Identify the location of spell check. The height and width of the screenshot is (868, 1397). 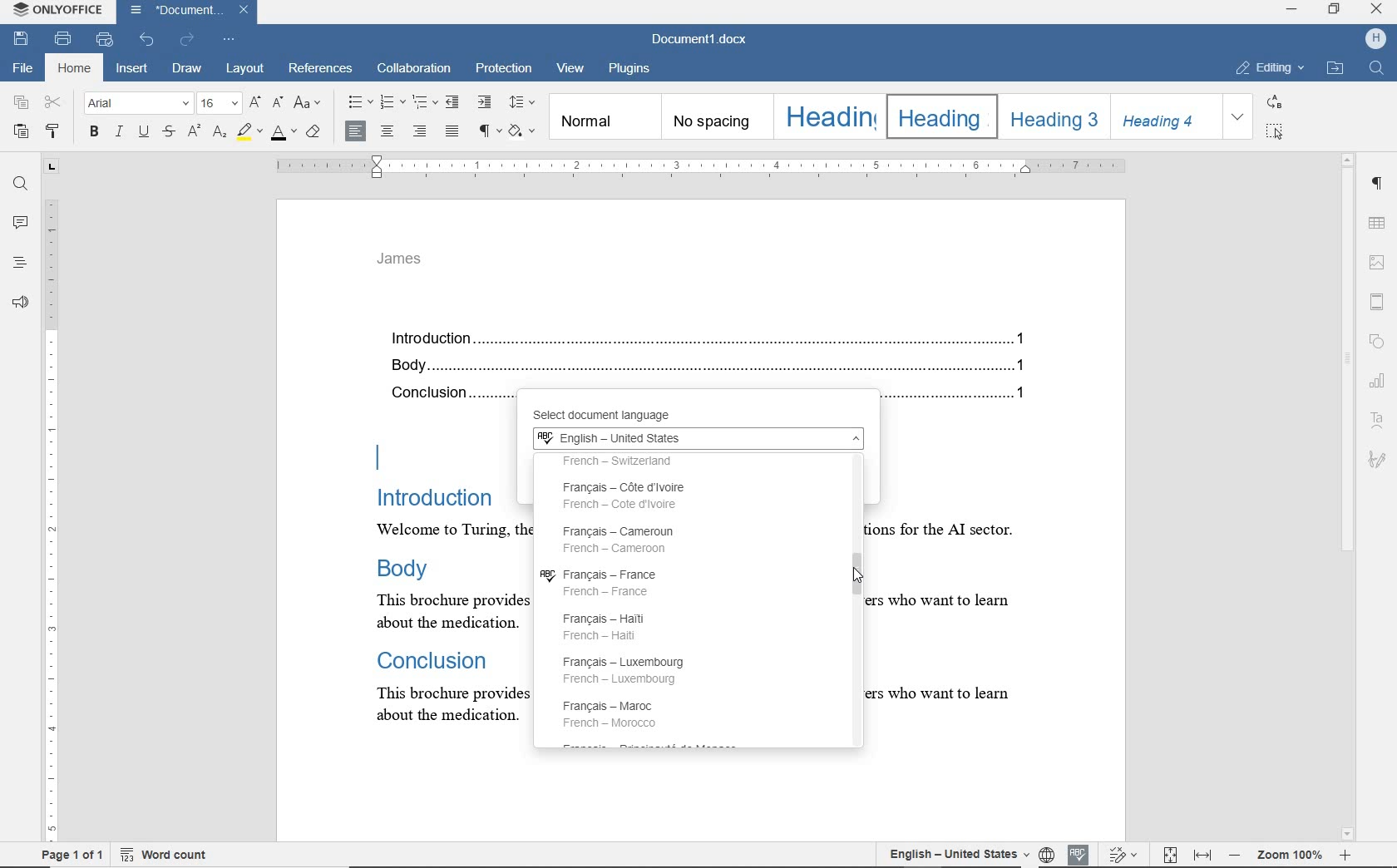
(1075, 852).